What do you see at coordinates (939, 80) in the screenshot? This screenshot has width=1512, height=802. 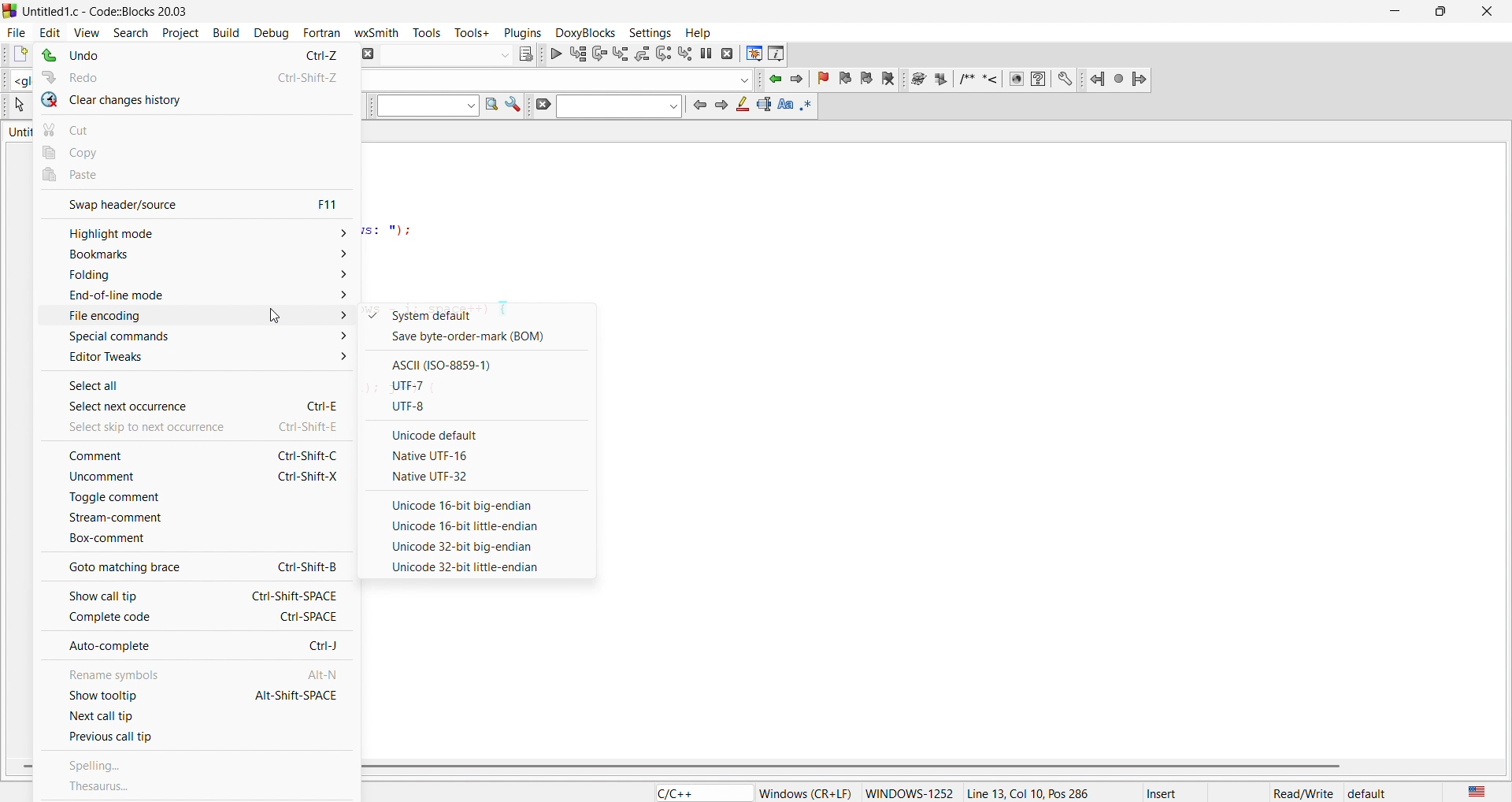 I see `Extract` at bounding box center [939, 80].